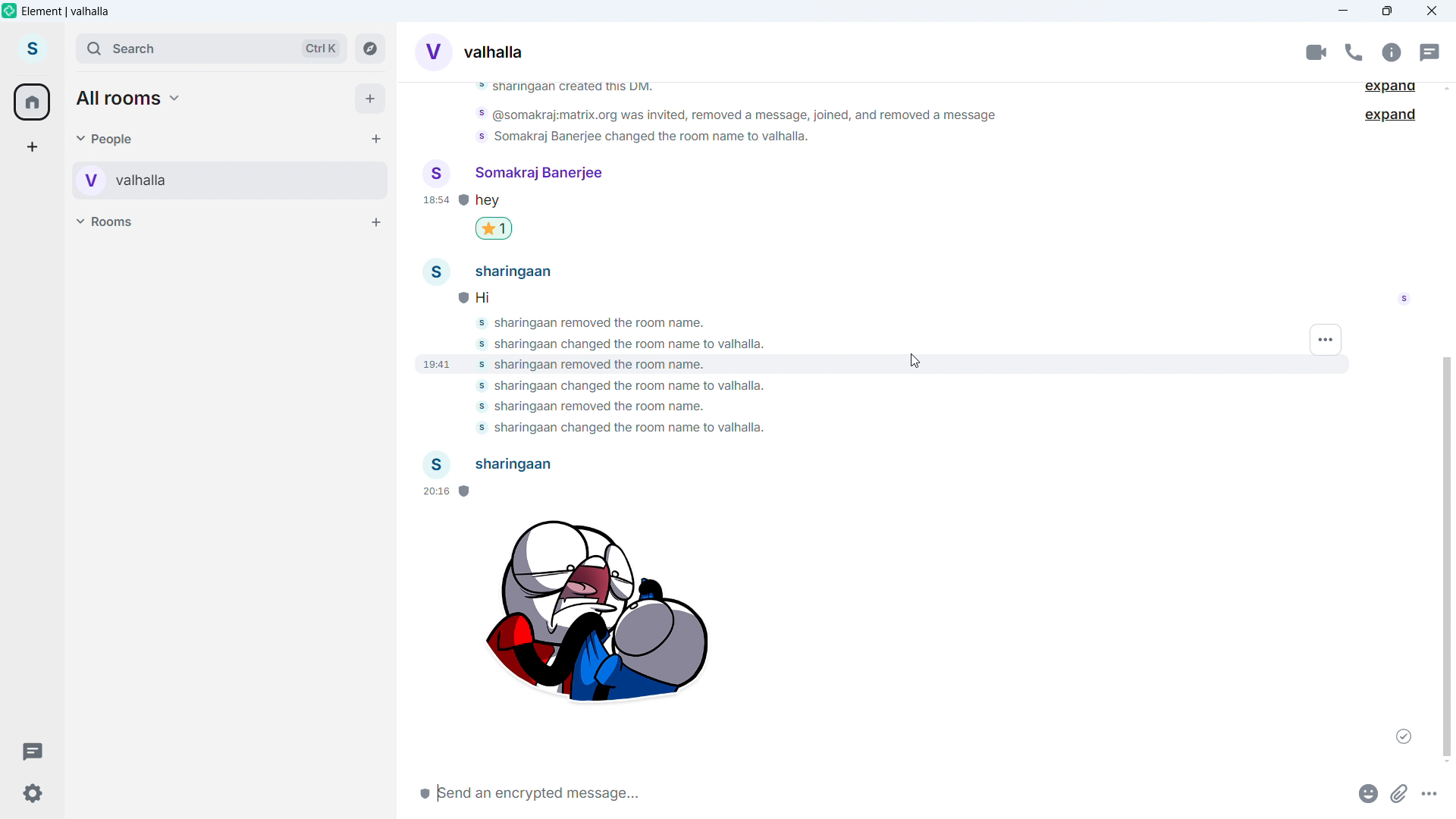 Image resolution: width=1456 pixels, height=819 pixels. Describe the element at coordinates (432, 50) in the screenshot. I see `Converses display picture` at that location.